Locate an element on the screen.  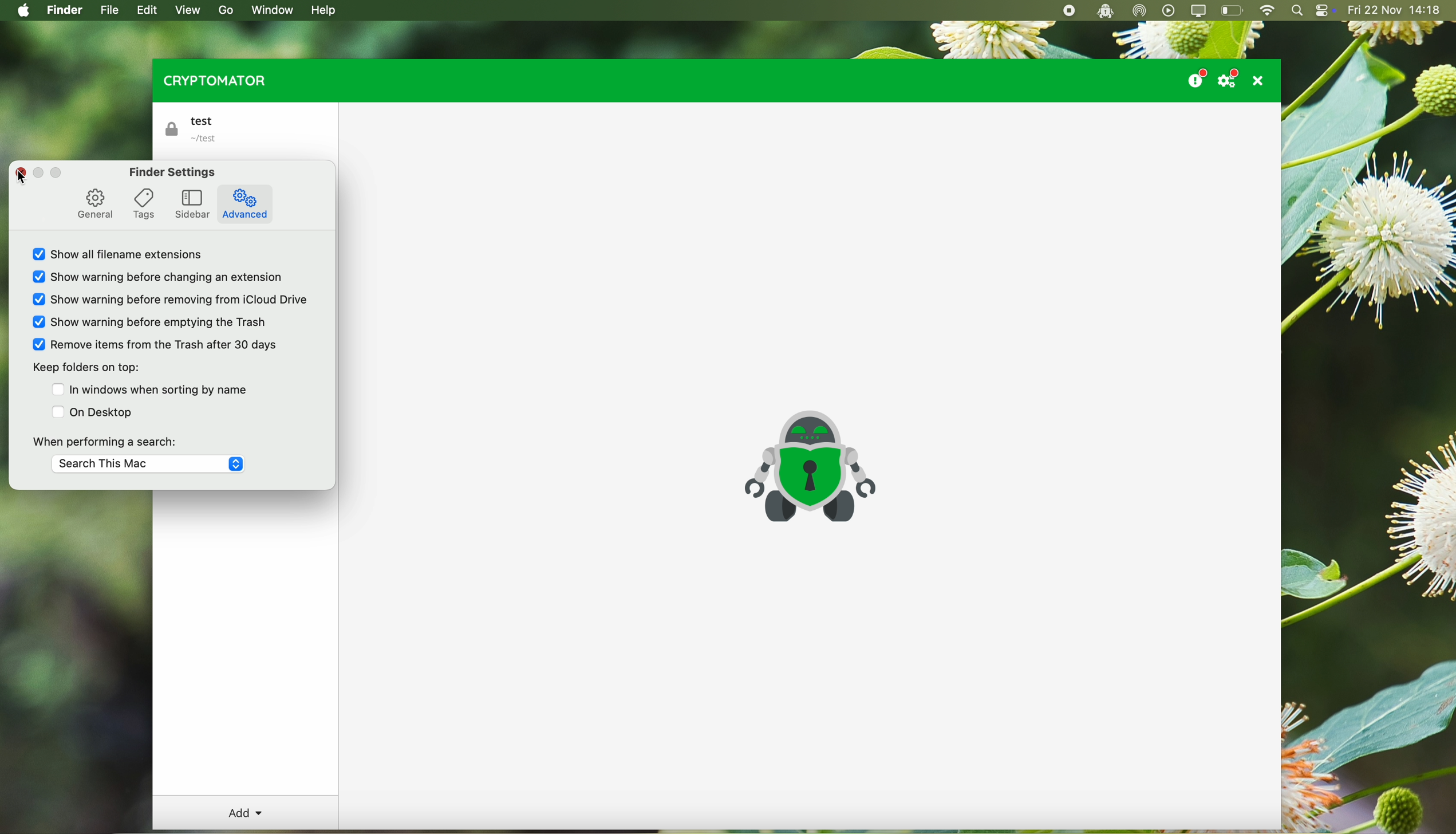
In windows when sorting by name is located at coordinates (149, 388).